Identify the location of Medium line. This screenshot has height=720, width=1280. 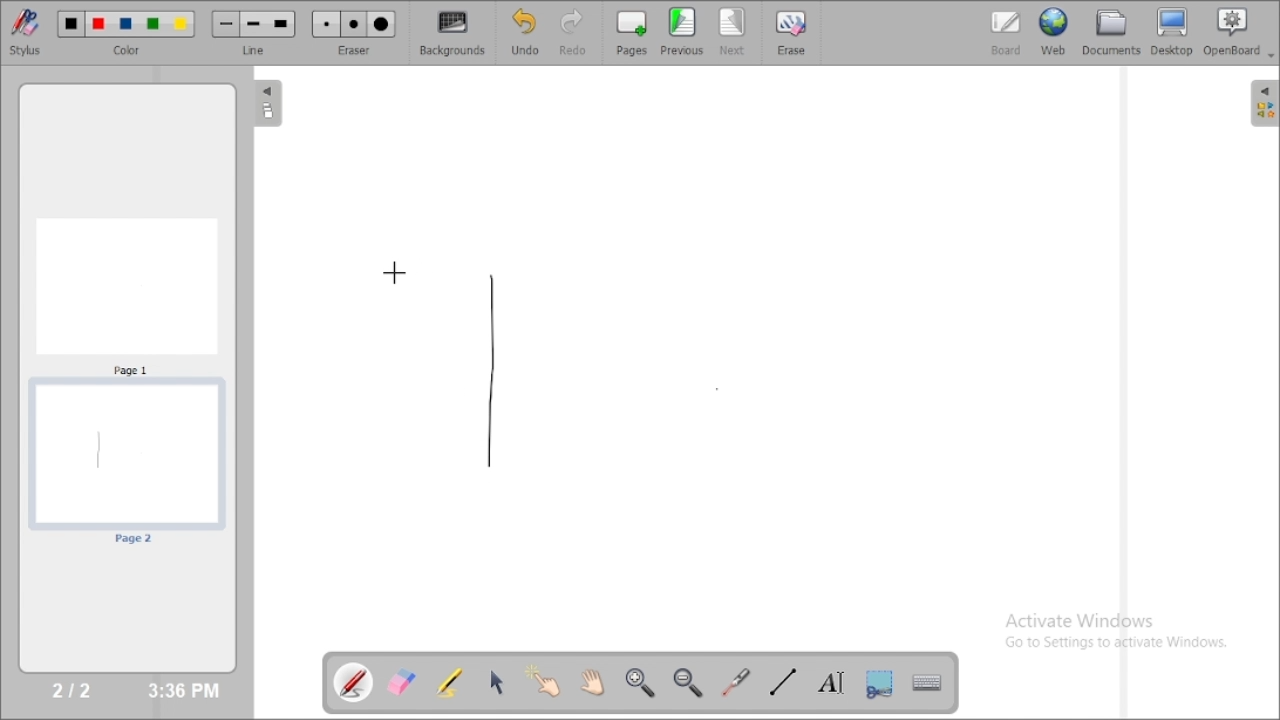
(255, 24).